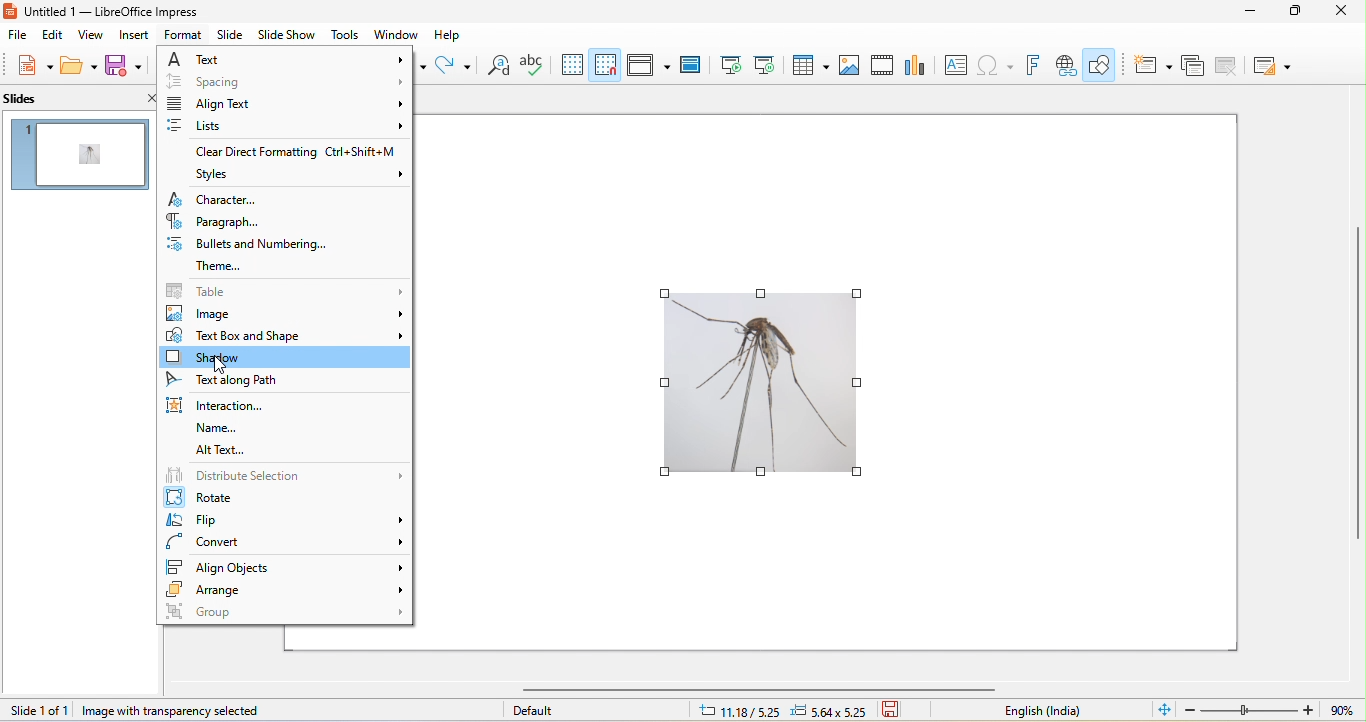  I want to click on distribute selection, so click(285, 474).